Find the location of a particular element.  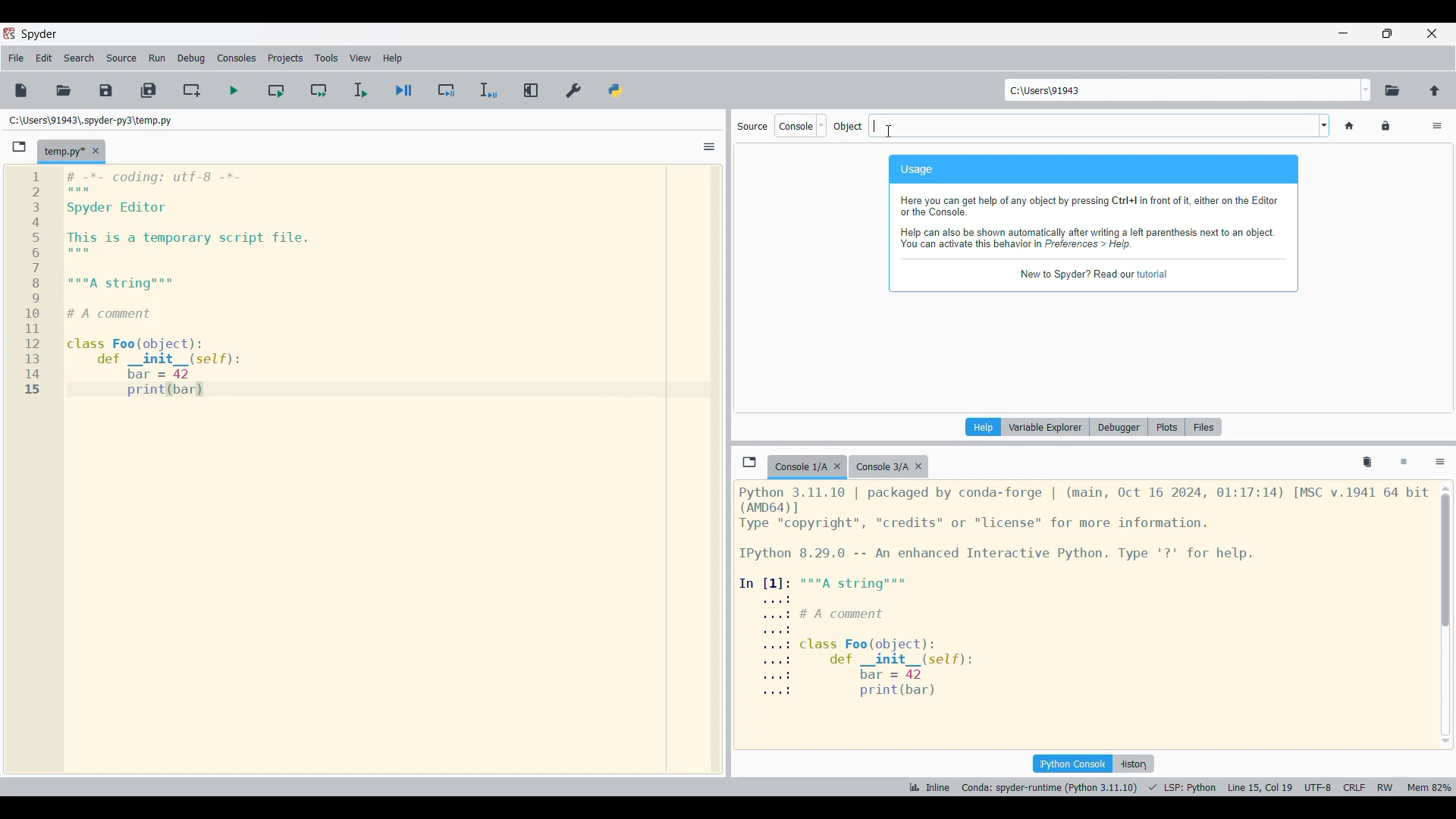

Run current cell is located at coordinates (277, 90).